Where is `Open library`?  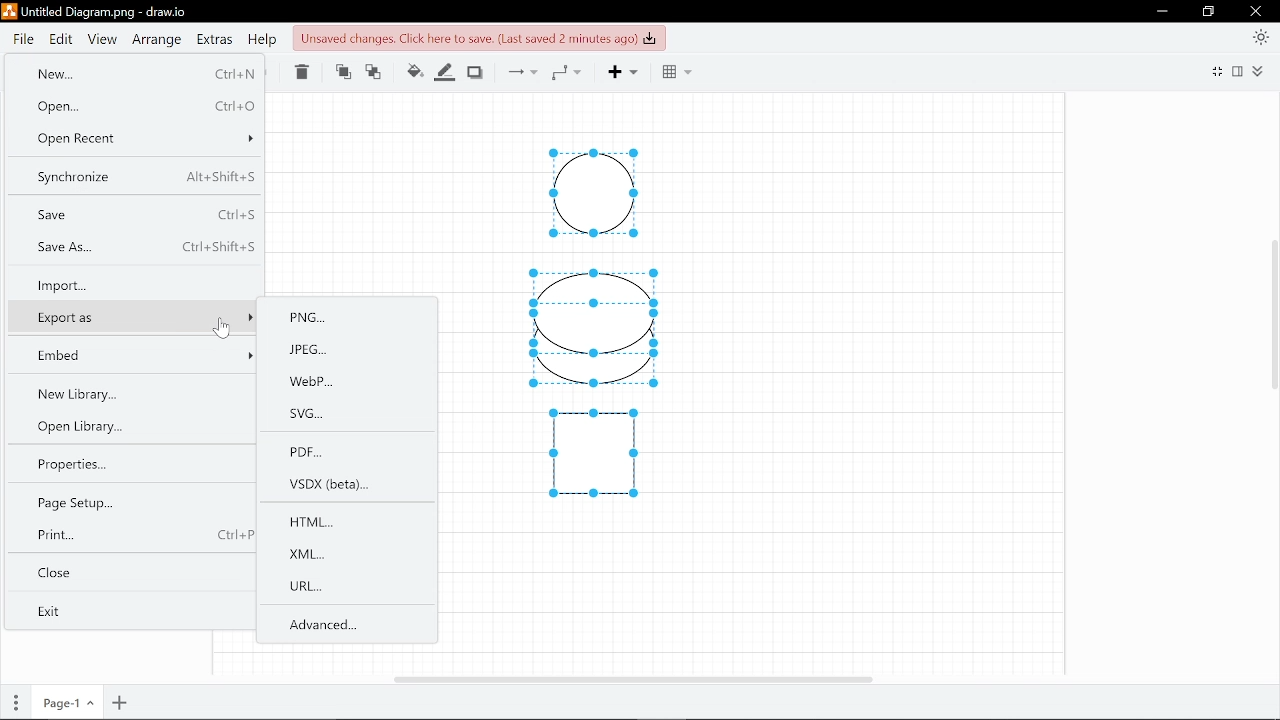 Open library is located at coordinates (133, 427).